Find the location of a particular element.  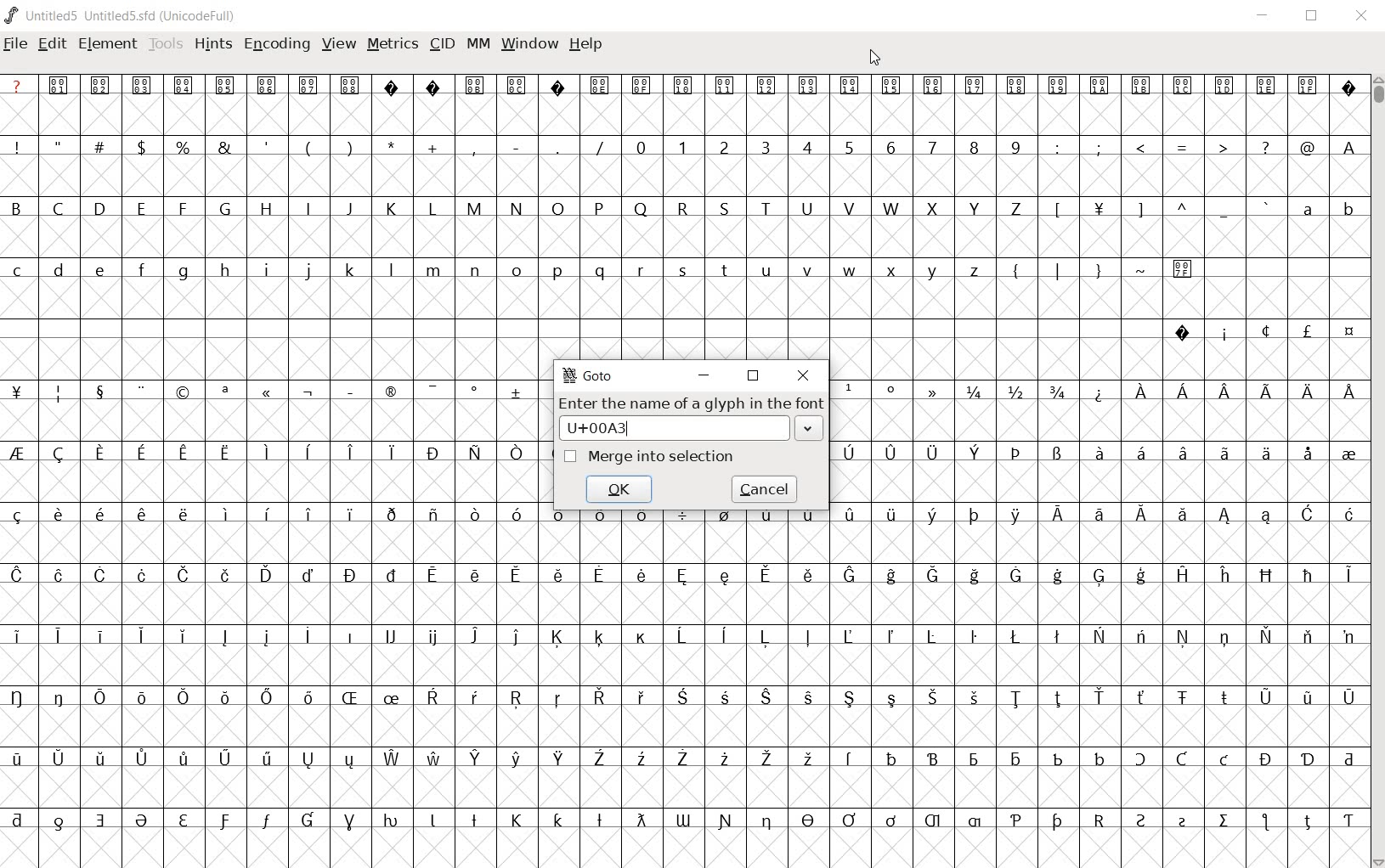

Symbol is located at coordinates (432, 638).